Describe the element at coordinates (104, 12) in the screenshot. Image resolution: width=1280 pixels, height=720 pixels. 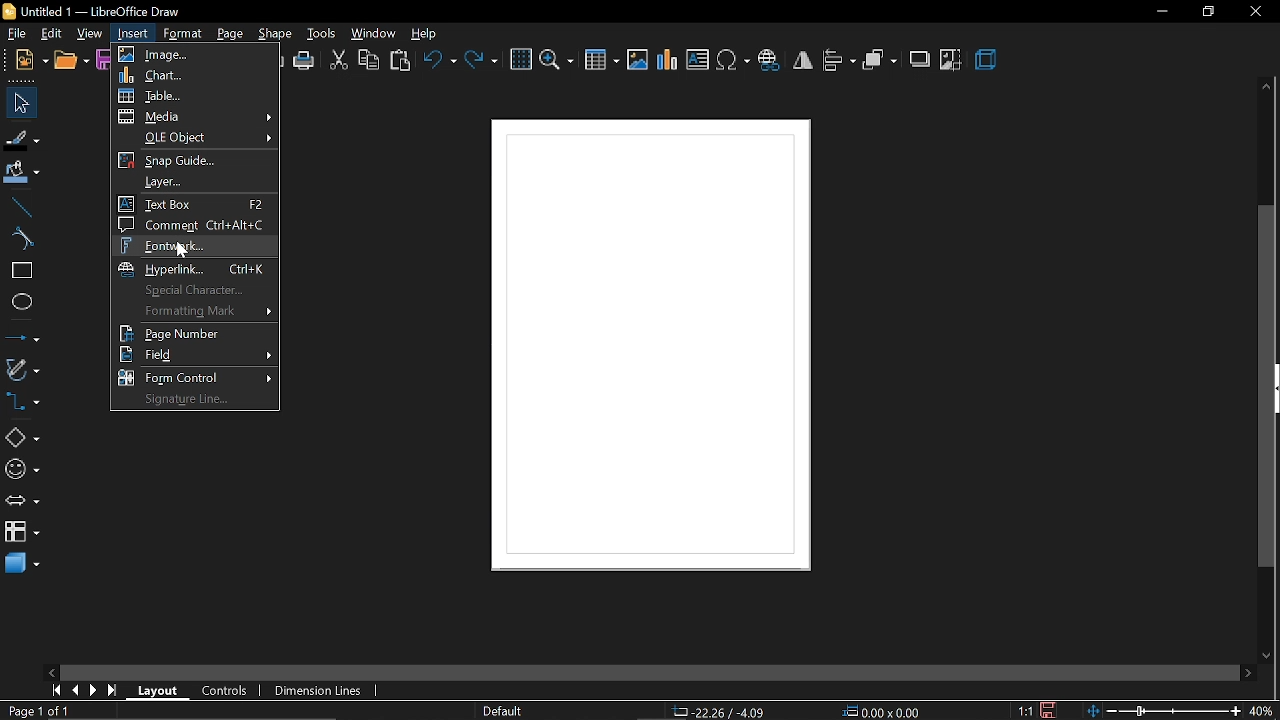
I see `untitled 1 — LibreOffice Draw` at that location.